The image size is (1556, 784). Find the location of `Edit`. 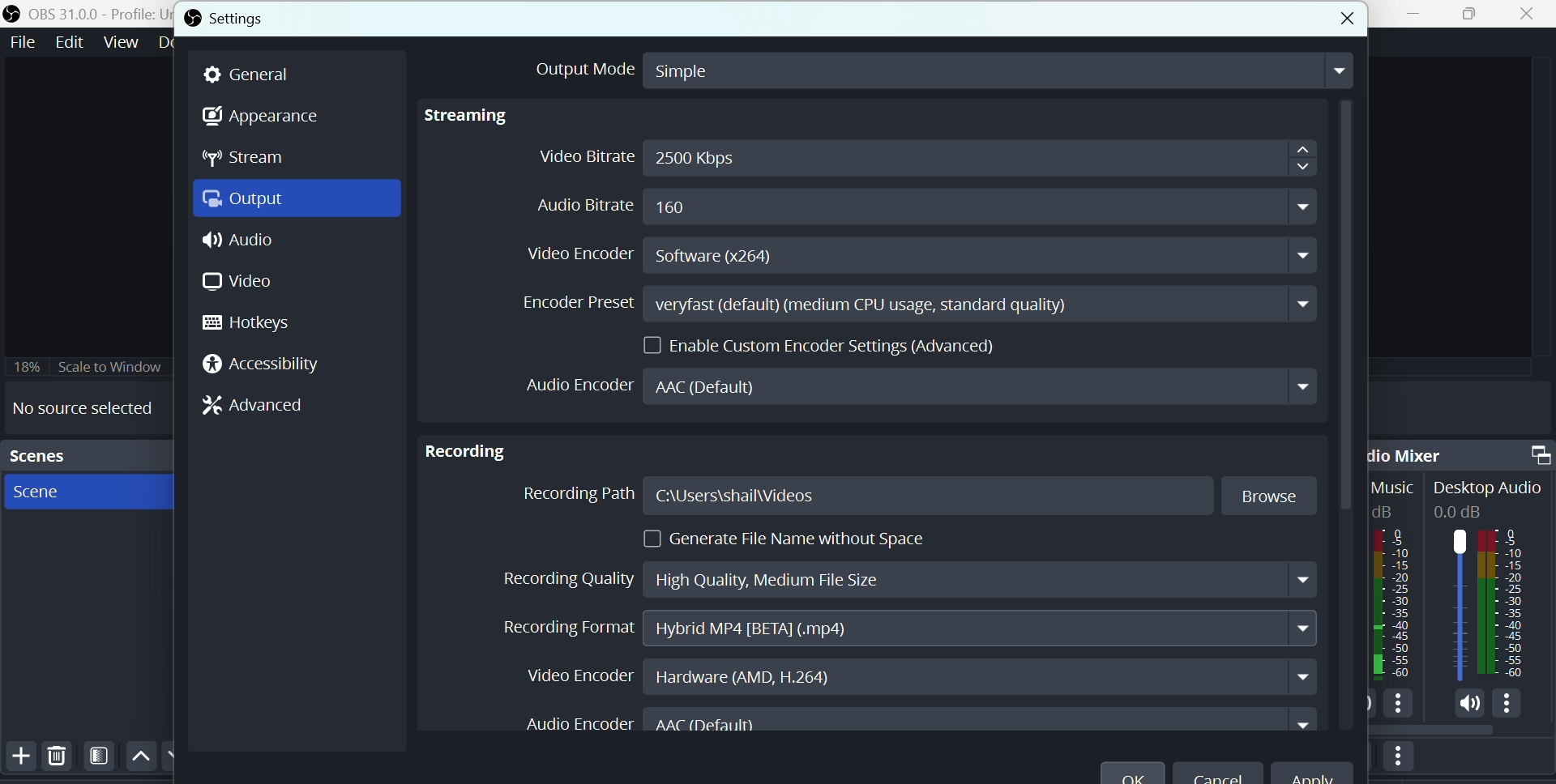

Edit is located at coordinates (69, 44).